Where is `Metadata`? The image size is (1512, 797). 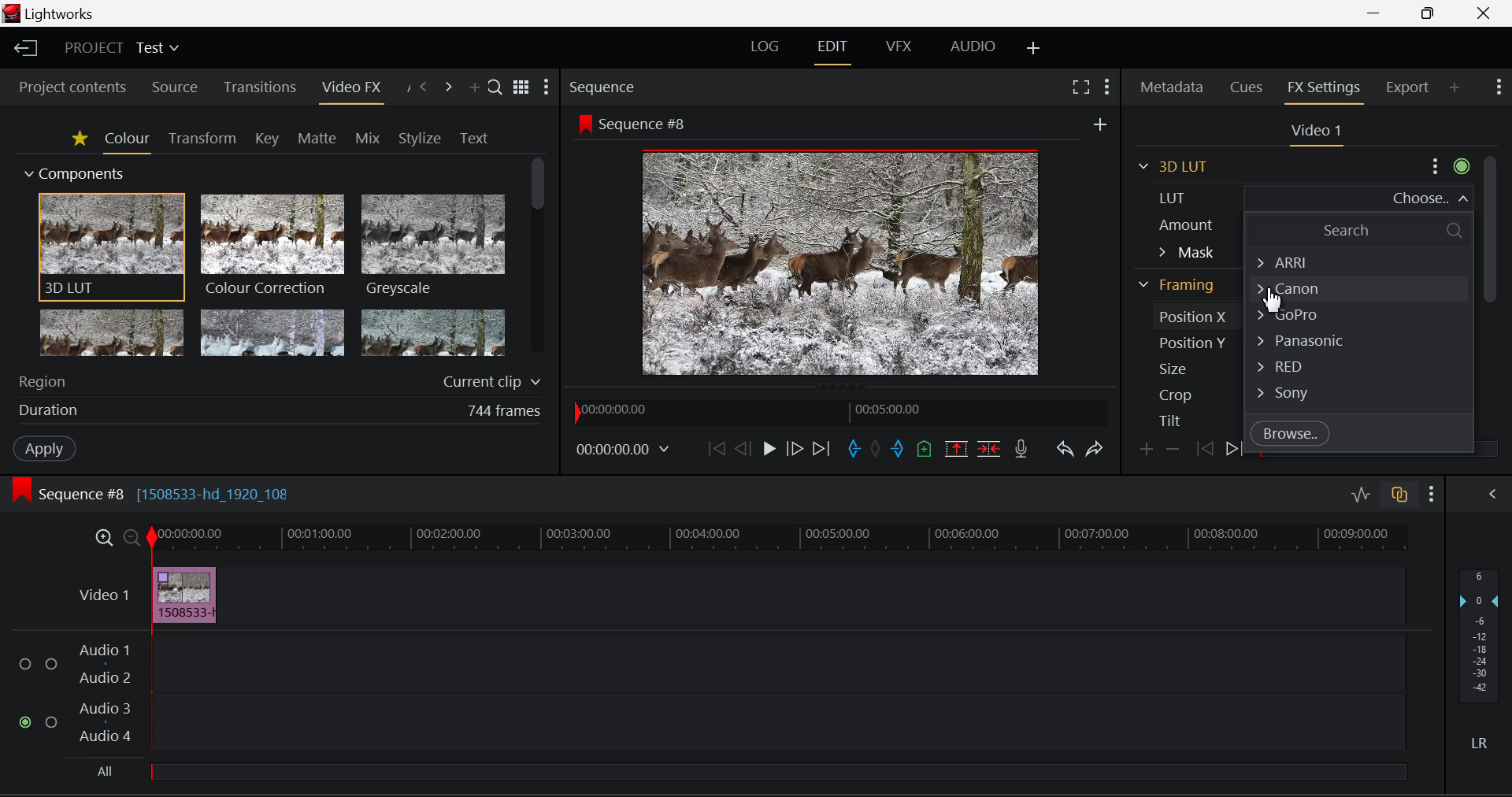
Metadata is located at coordinates (1170, 87).